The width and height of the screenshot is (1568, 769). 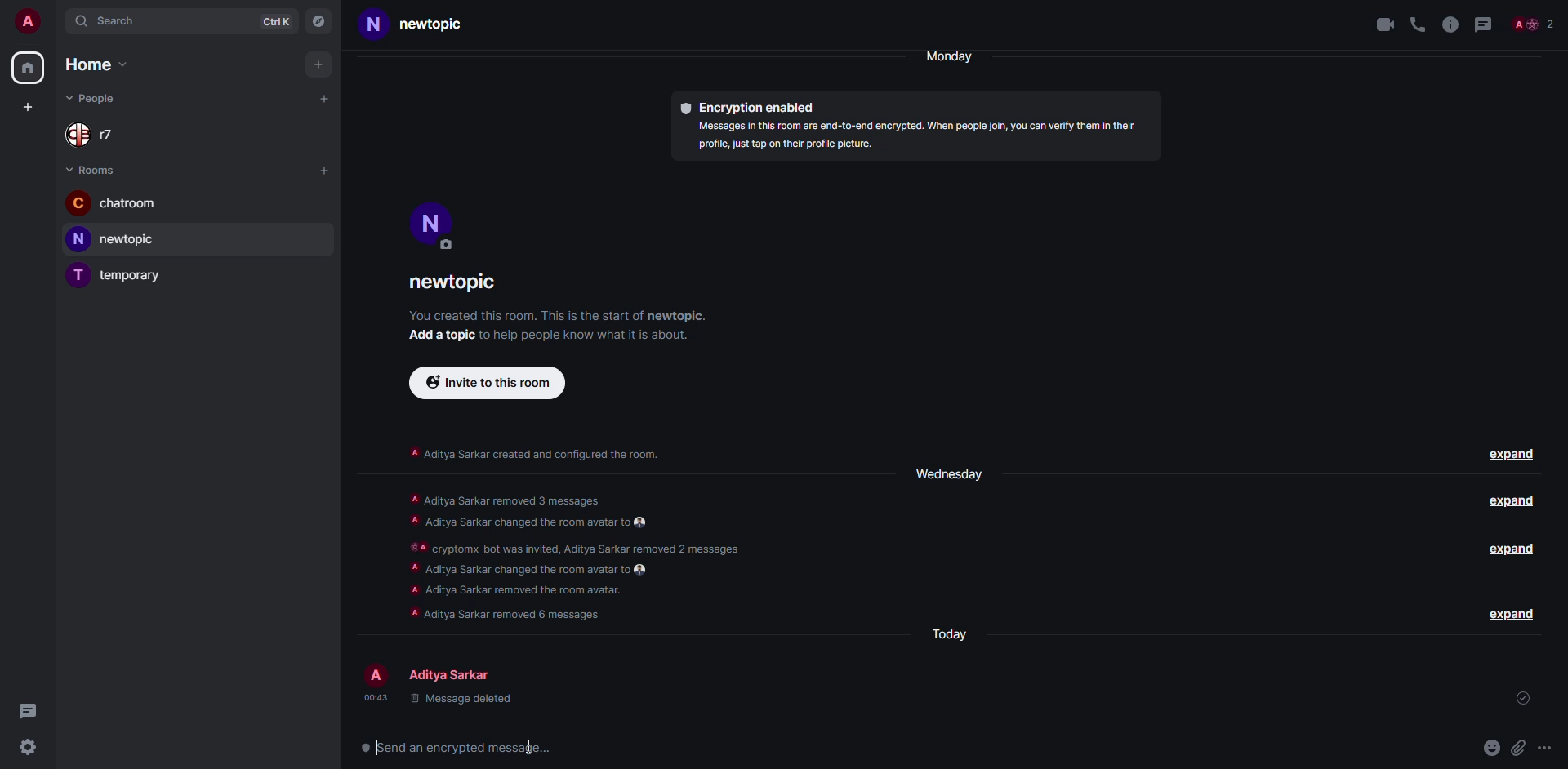 What do you see at coordinates (317, 64) in the screenshot?
I see `add` at bounding box center [317, 64].